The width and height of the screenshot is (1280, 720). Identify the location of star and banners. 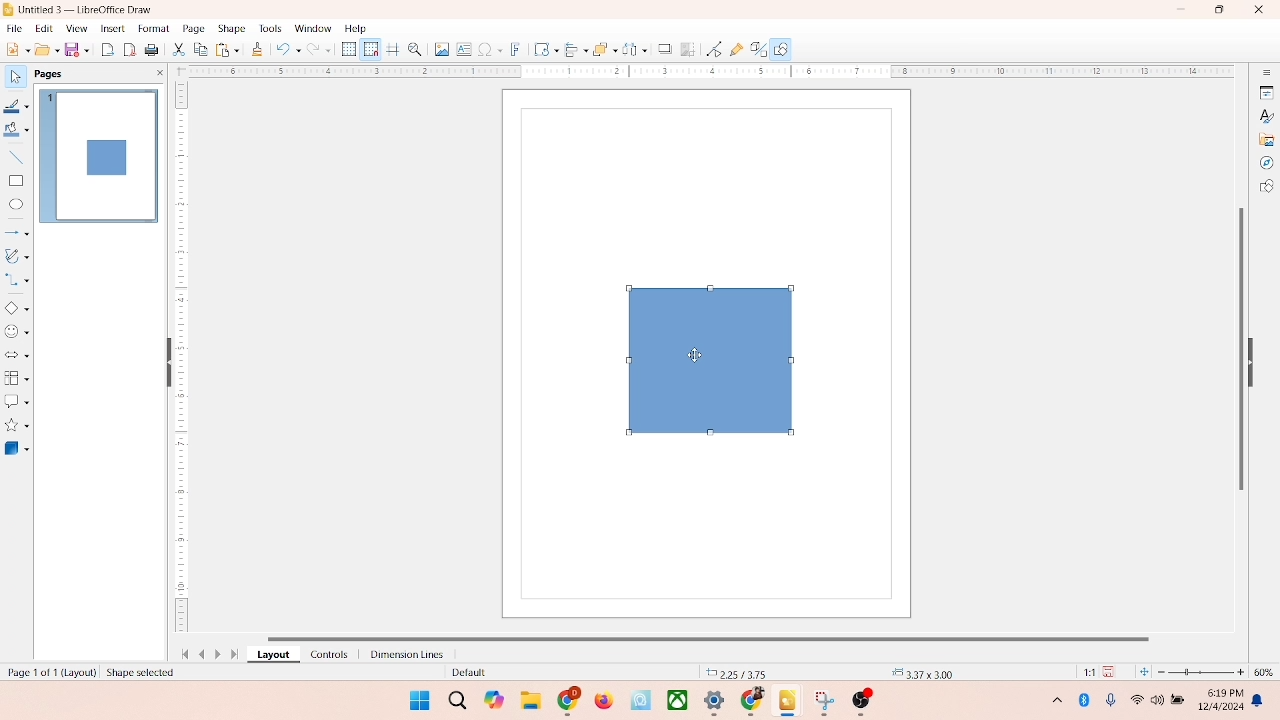
(19, 425).